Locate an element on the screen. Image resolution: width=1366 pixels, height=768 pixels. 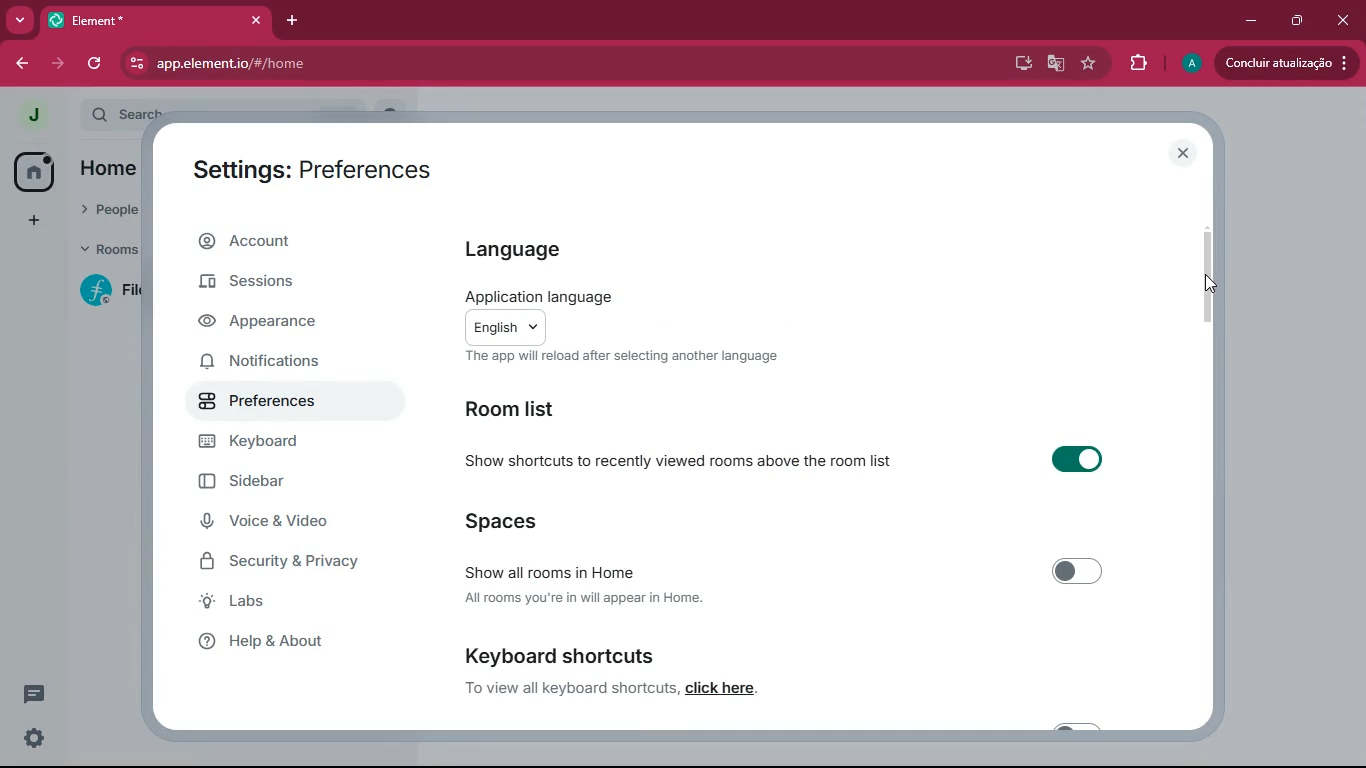
sessions is located at coordinates (273, 287).